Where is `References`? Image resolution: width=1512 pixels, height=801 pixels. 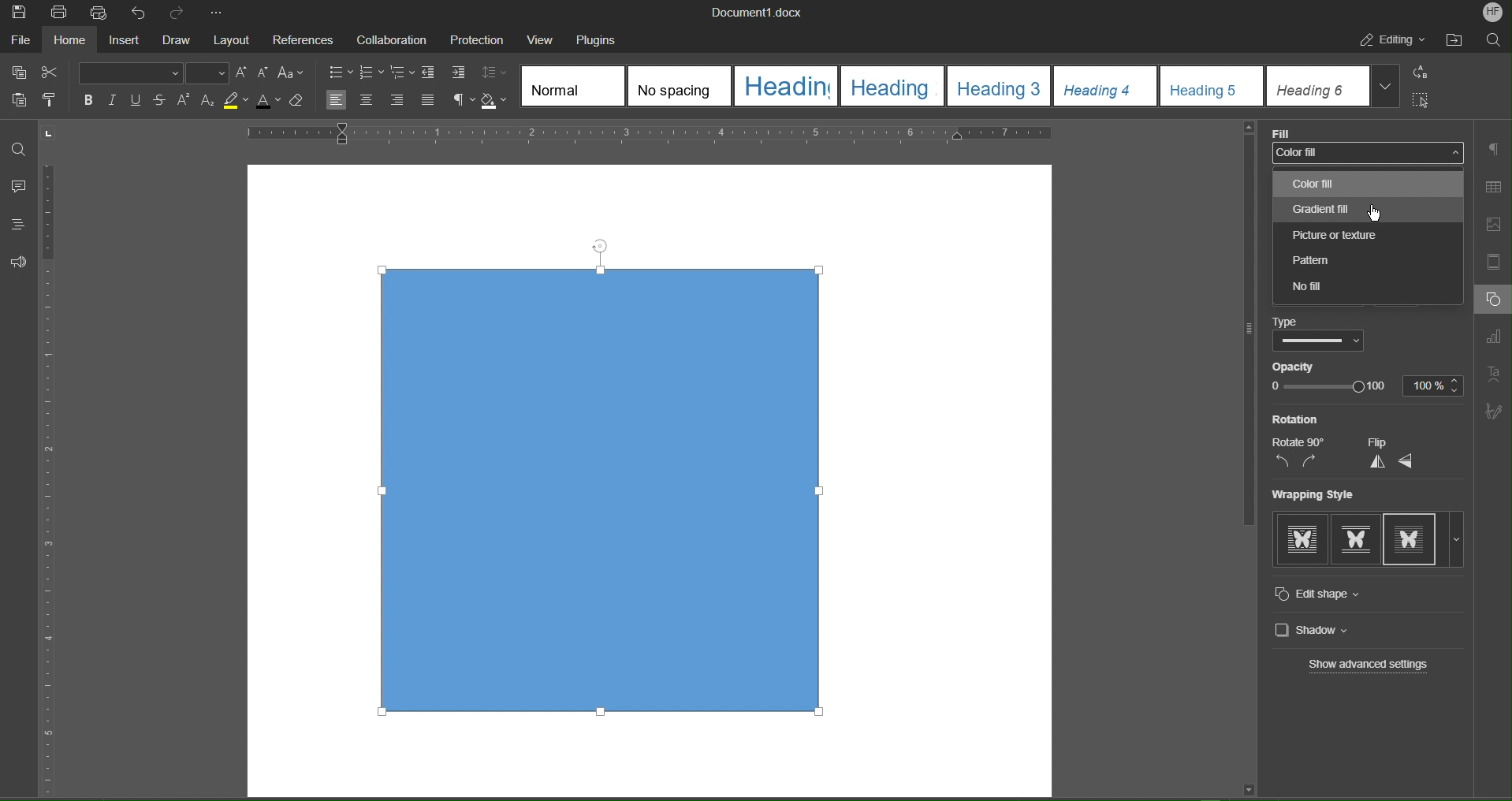 References is located at coordinates (306, 38).